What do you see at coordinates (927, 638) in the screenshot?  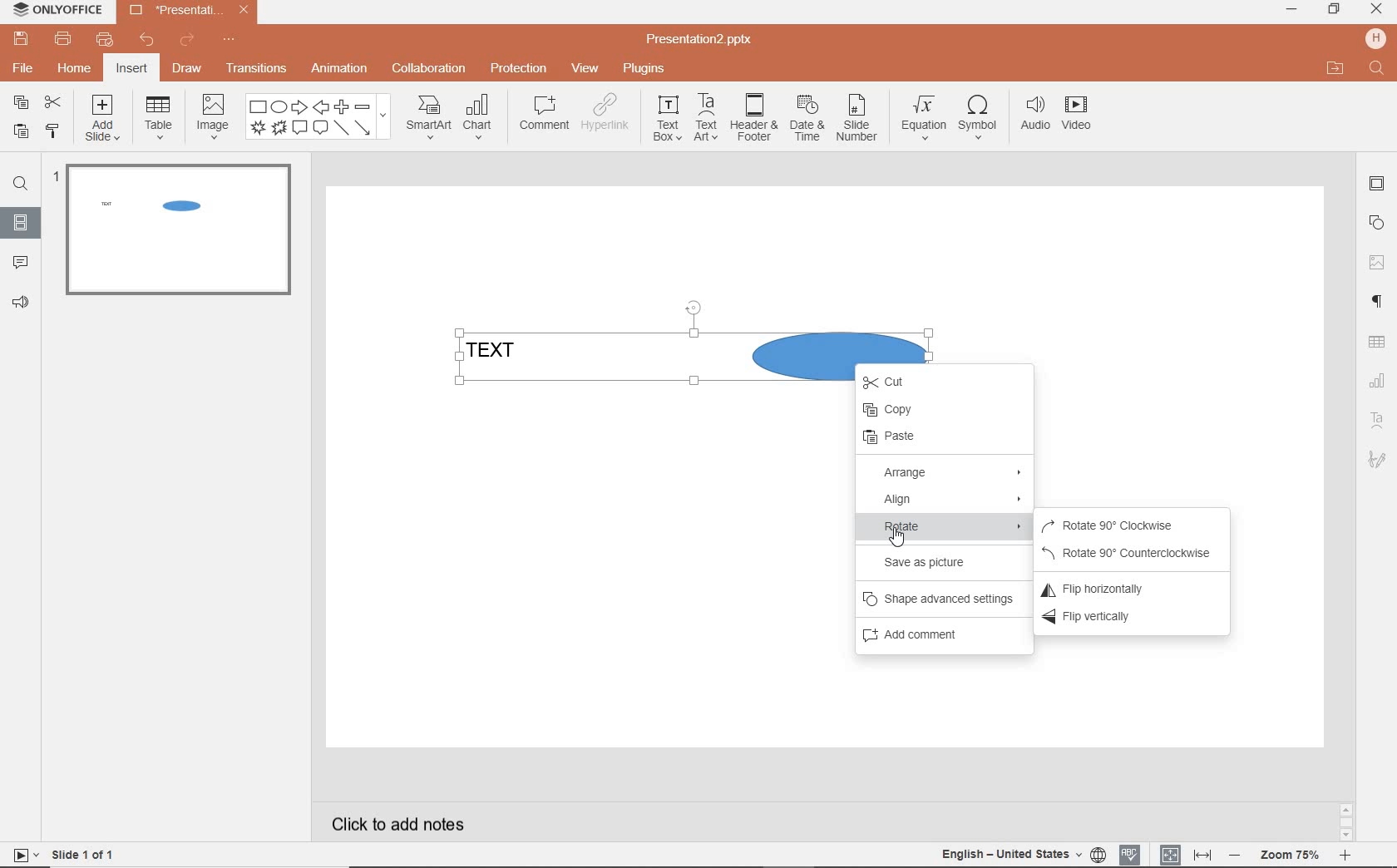 I see `Add comment` at bounding box center [927, 638].